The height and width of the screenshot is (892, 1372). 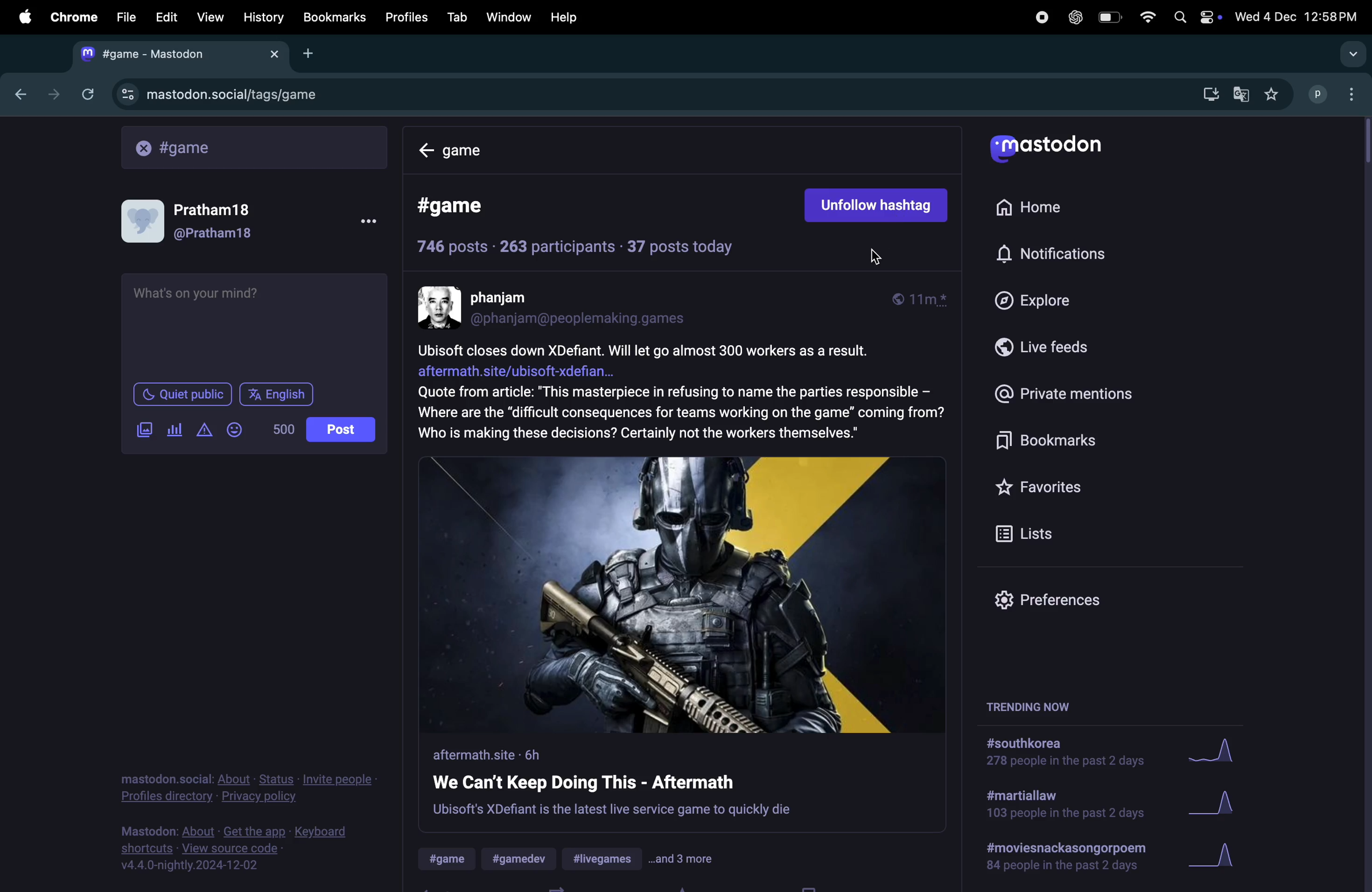 I want to click on #live games, so click(x=604, y=860).